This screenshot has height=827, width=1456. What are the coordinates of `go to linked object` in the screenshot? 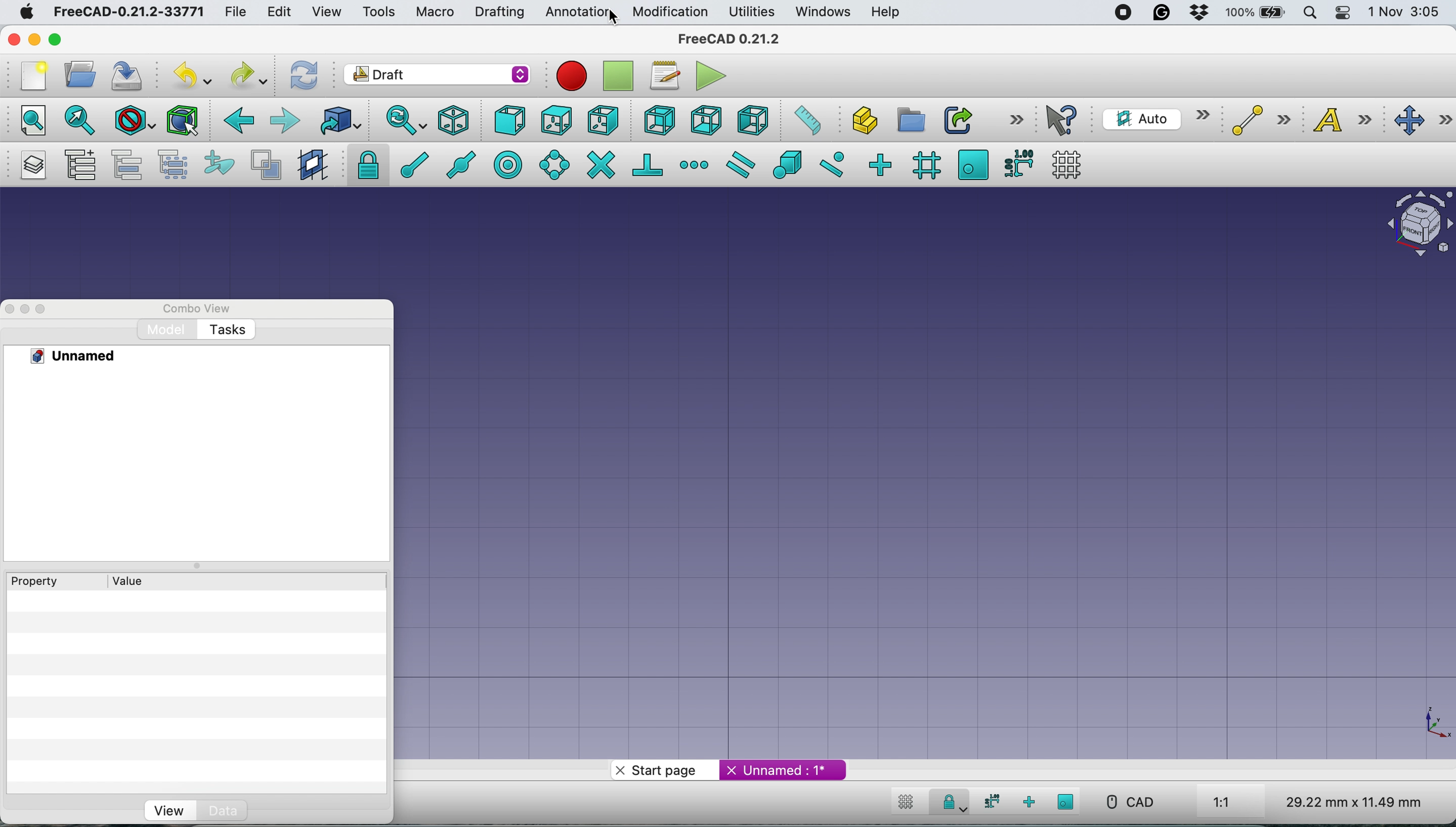 It's located at (338, 120).